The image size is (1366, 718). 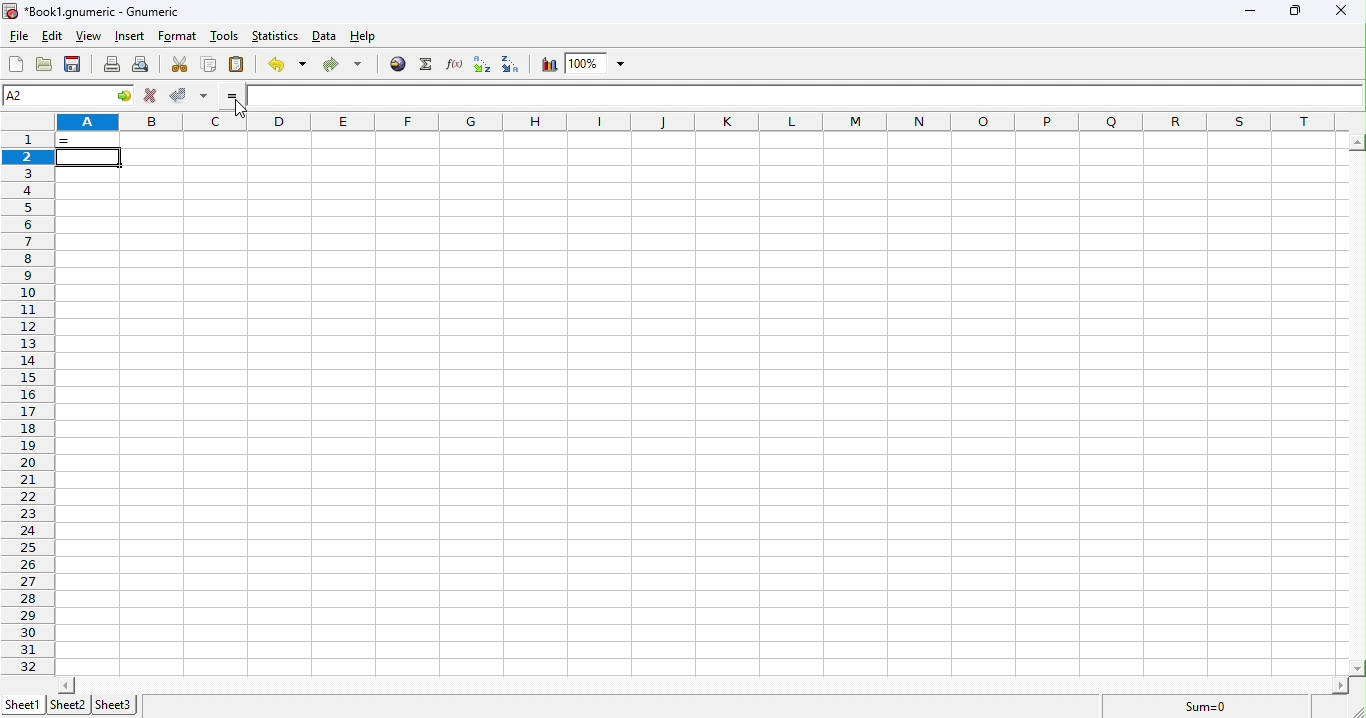 I want to click on close, so click(x=1339, y=9).